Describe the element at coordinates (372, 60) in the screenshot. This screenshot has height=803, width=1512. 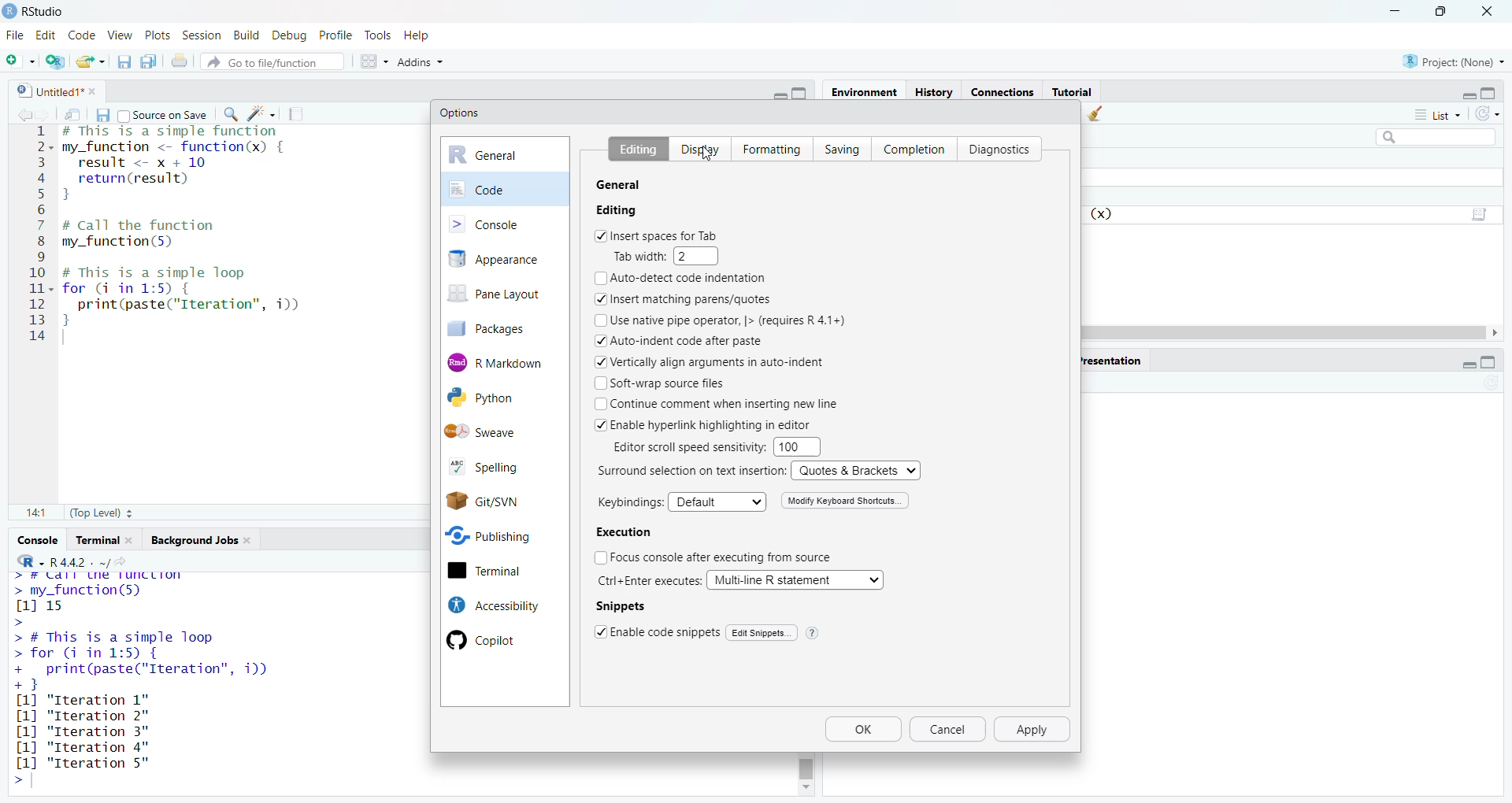
I see `workspace panes` at that location.